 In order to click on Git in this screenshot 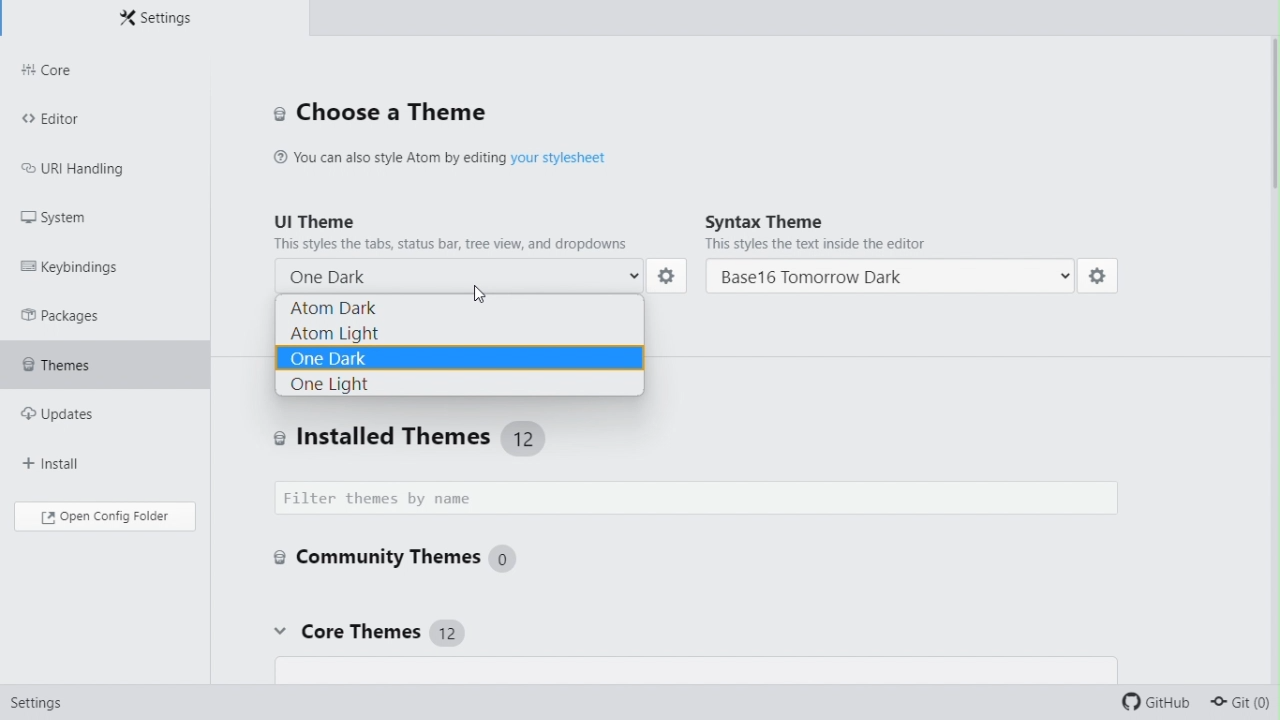, I will do `click(1246, 706)`.